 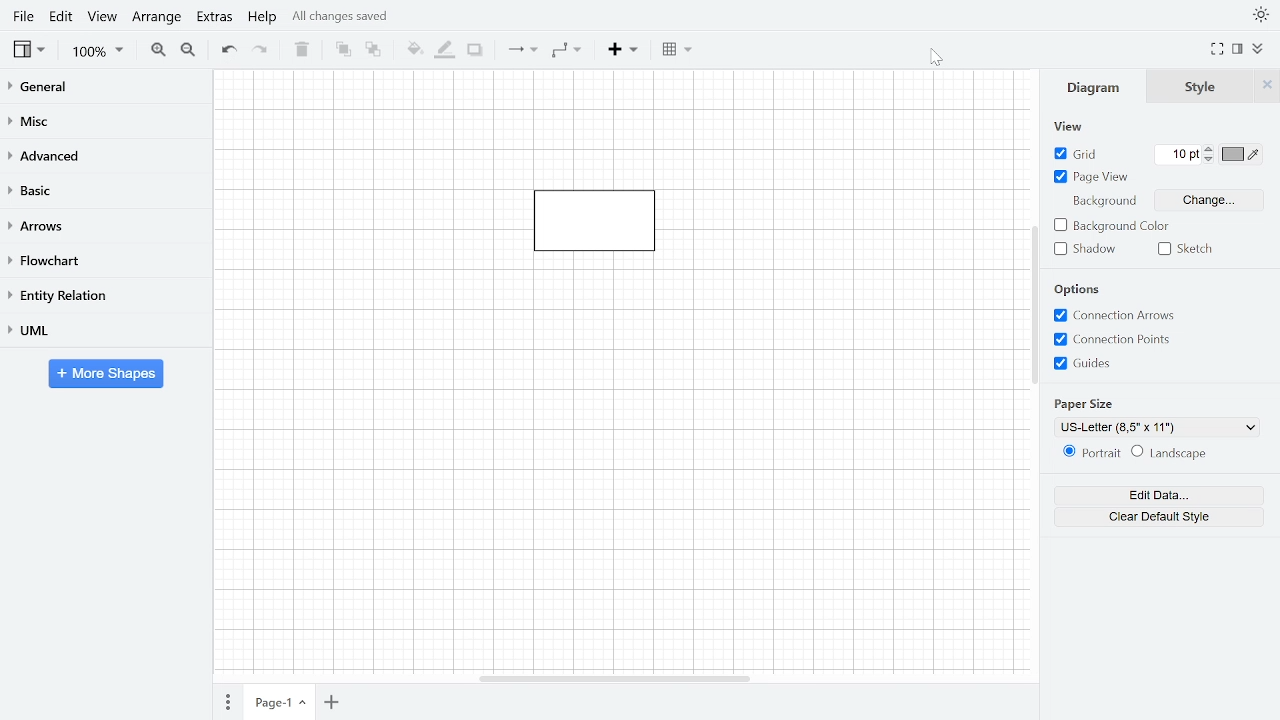 What do you see at coordinates (615, 681) in the screenshot?
I see `Horizontal scrollbar` at bounding box center [615, 681].